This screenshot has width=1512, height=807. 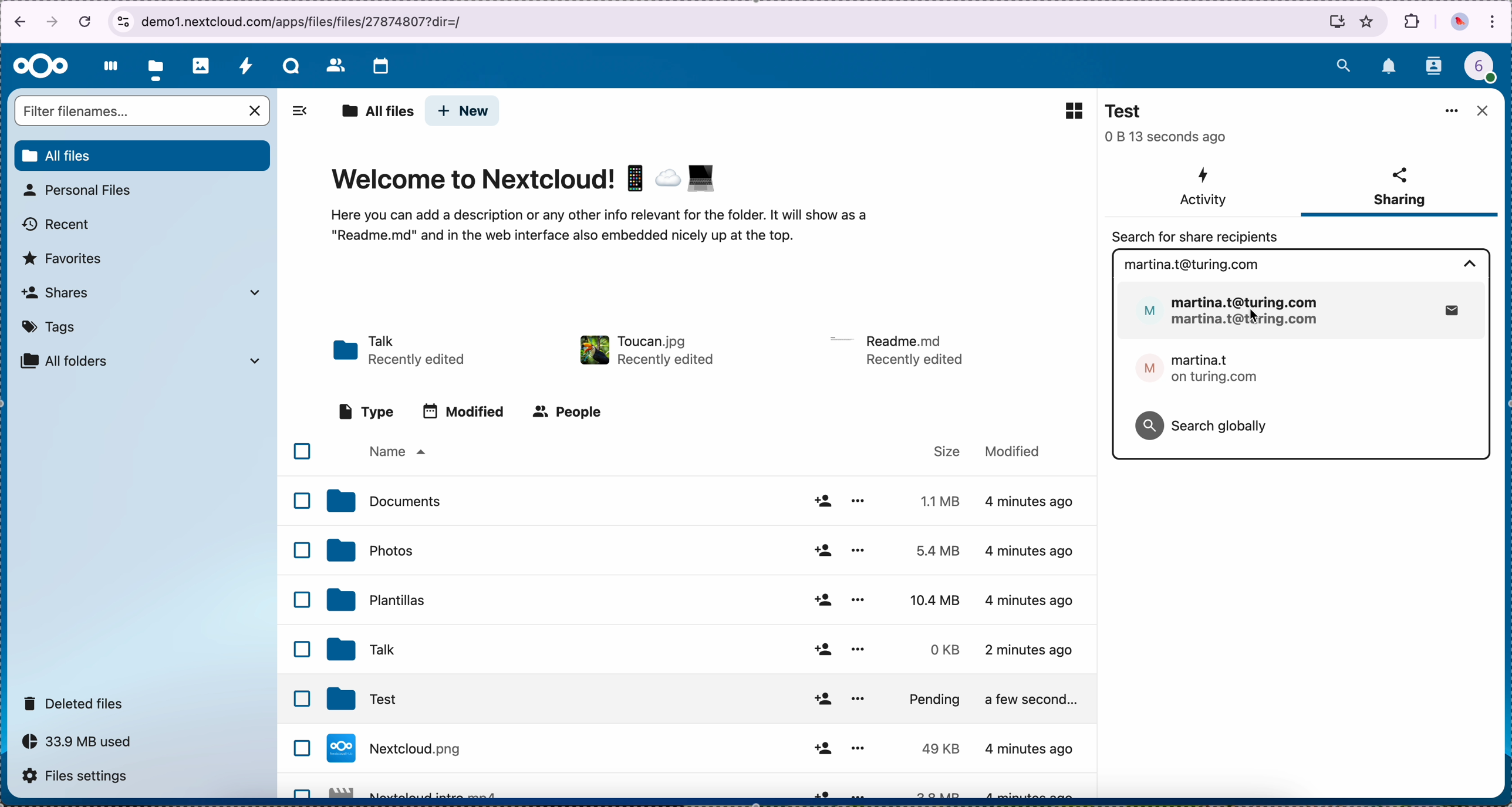 What do you see at coordinates (1190, 264) in the screenshot?
I see `email` at bounding box center [1190, 264].